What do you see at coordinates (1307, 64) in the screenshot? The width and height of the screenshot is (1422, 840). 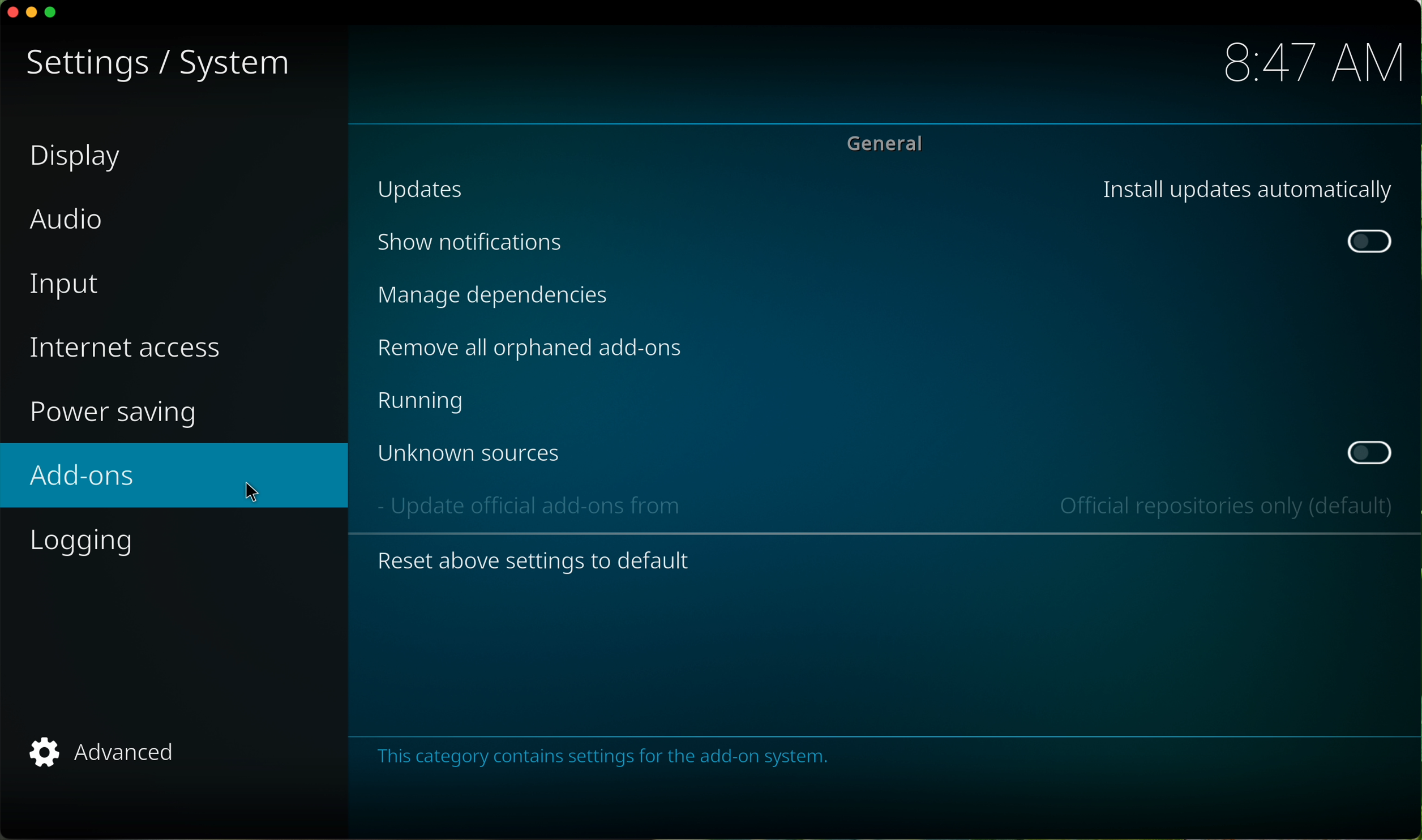 I see `hour` at bounding box center [1307, 64].